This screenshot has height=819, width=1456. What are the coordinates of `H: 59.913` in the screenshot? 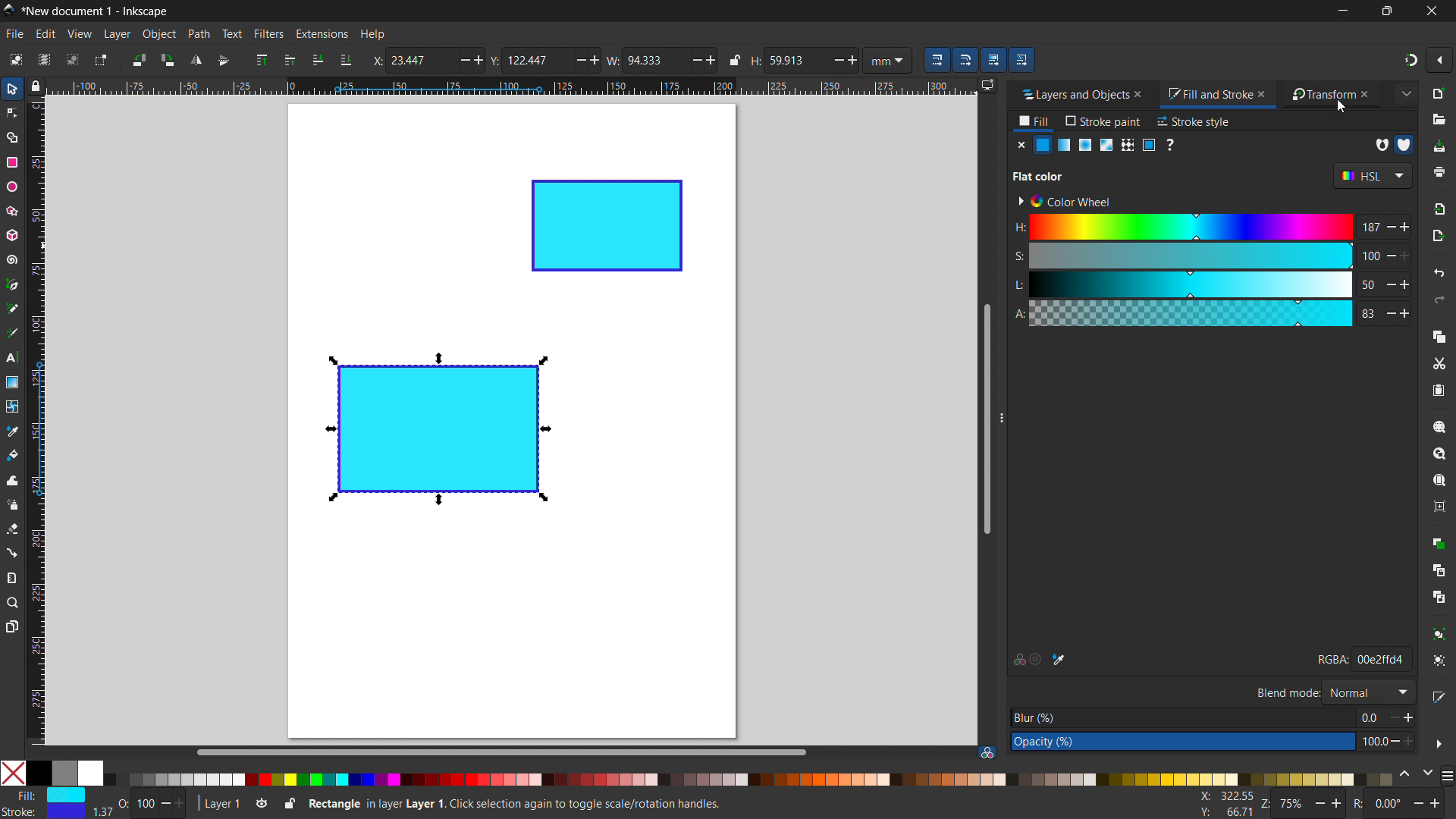 It's located at (781, 60).